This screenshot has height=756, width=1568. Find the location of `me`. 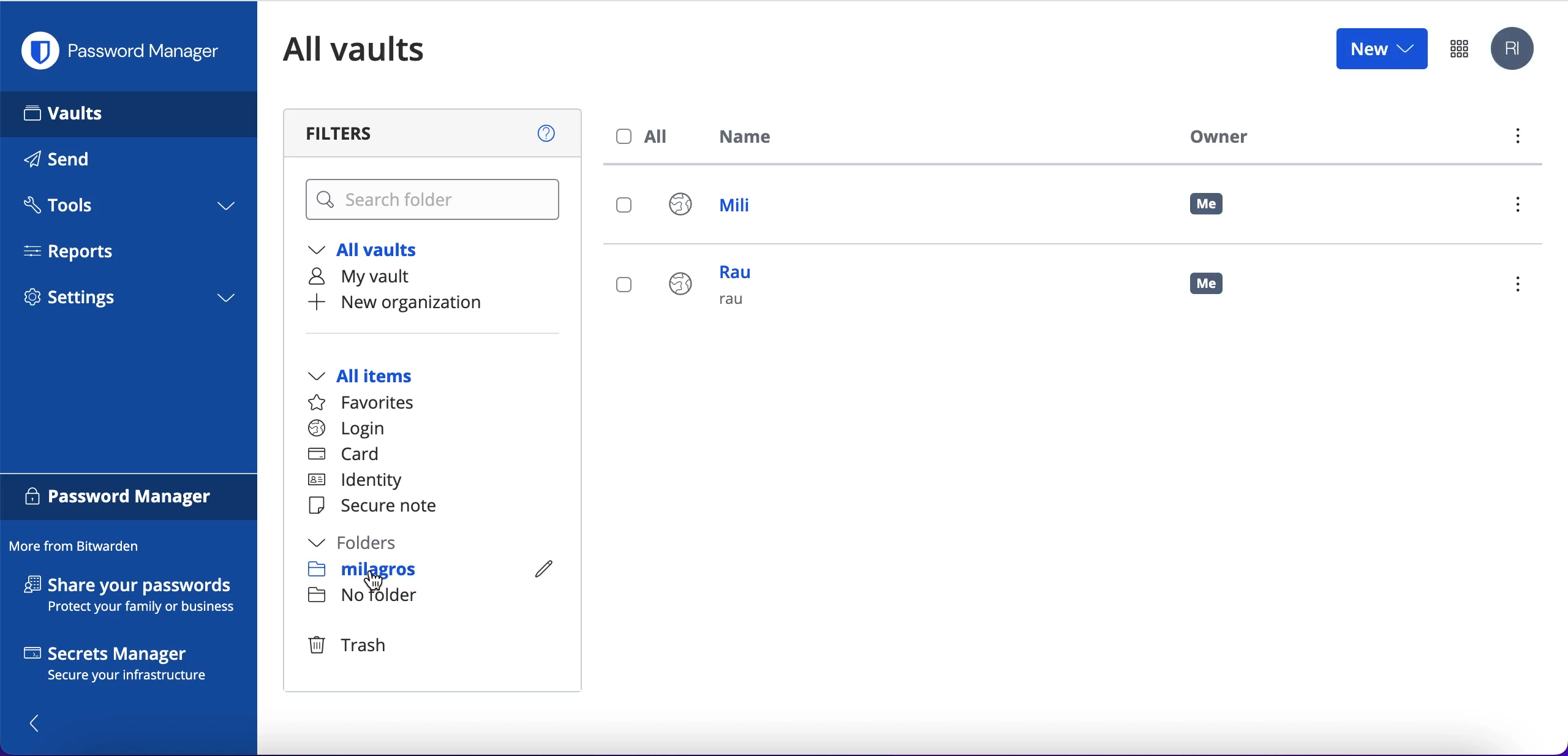

me is located at coordinates (1216, 289).